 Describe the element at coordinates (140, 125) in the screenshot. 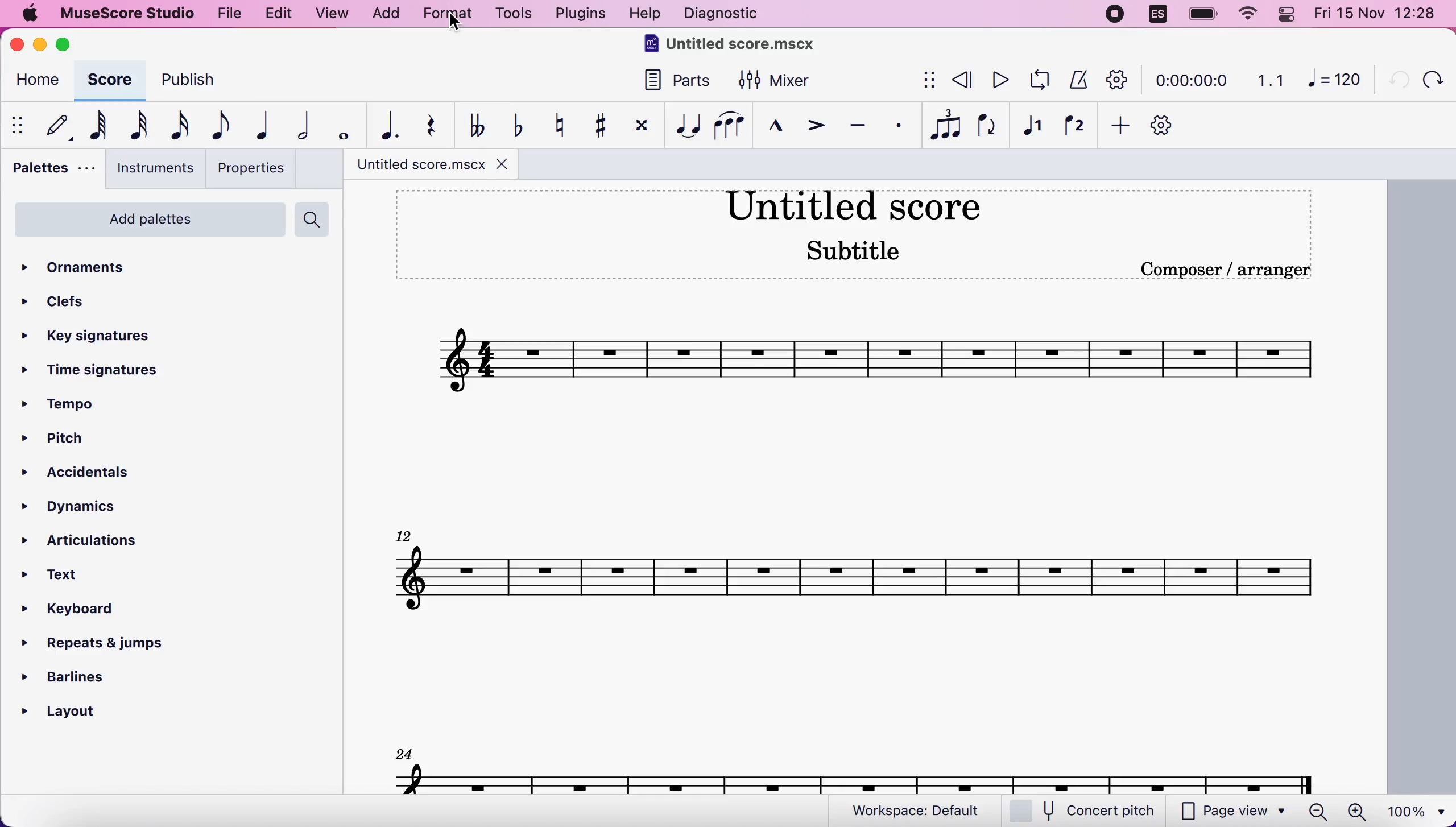

I see `32nd note` at that location.